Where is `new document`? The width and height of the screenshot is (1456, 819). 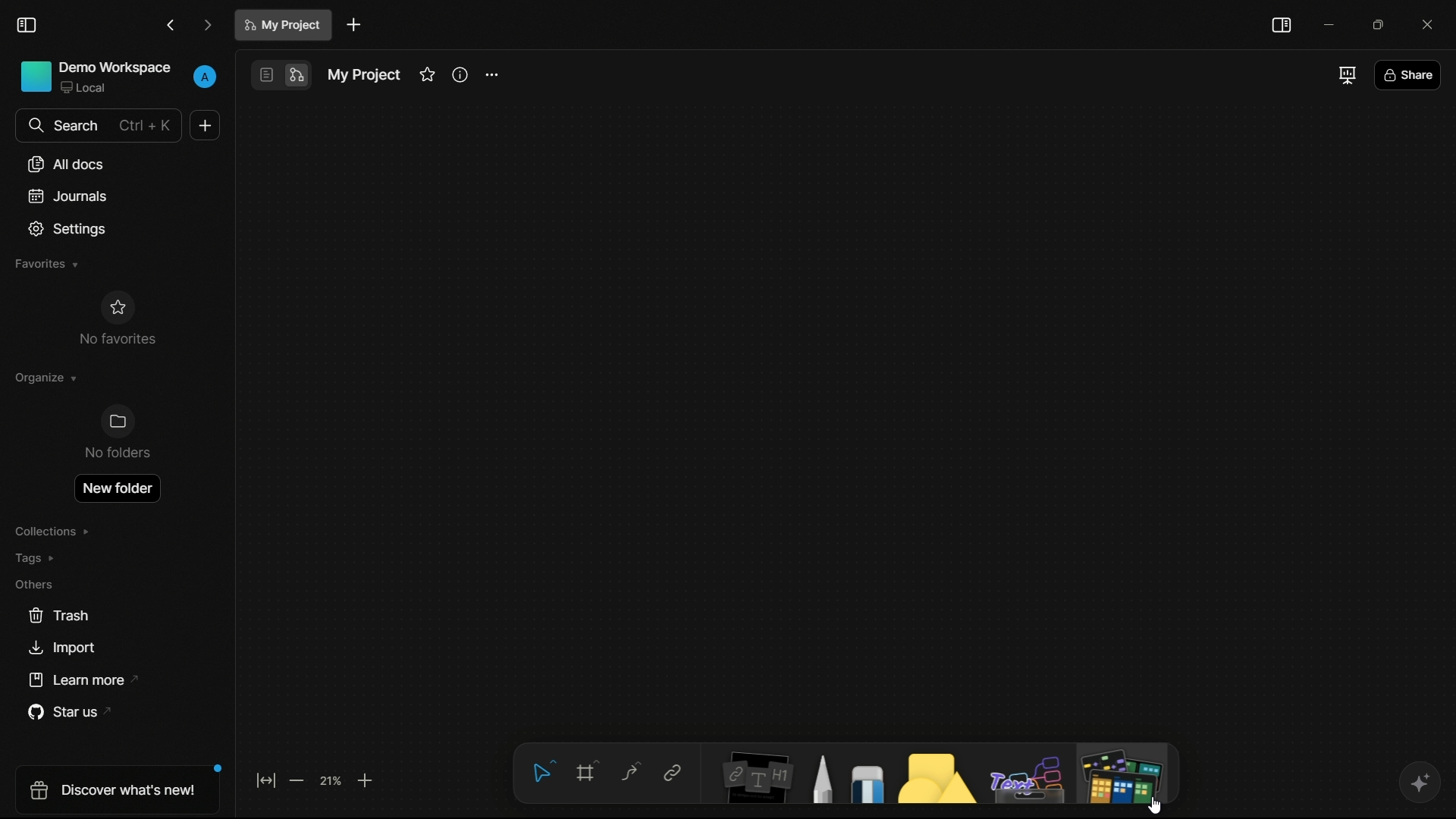 new document is located at coordinates (206, 125).